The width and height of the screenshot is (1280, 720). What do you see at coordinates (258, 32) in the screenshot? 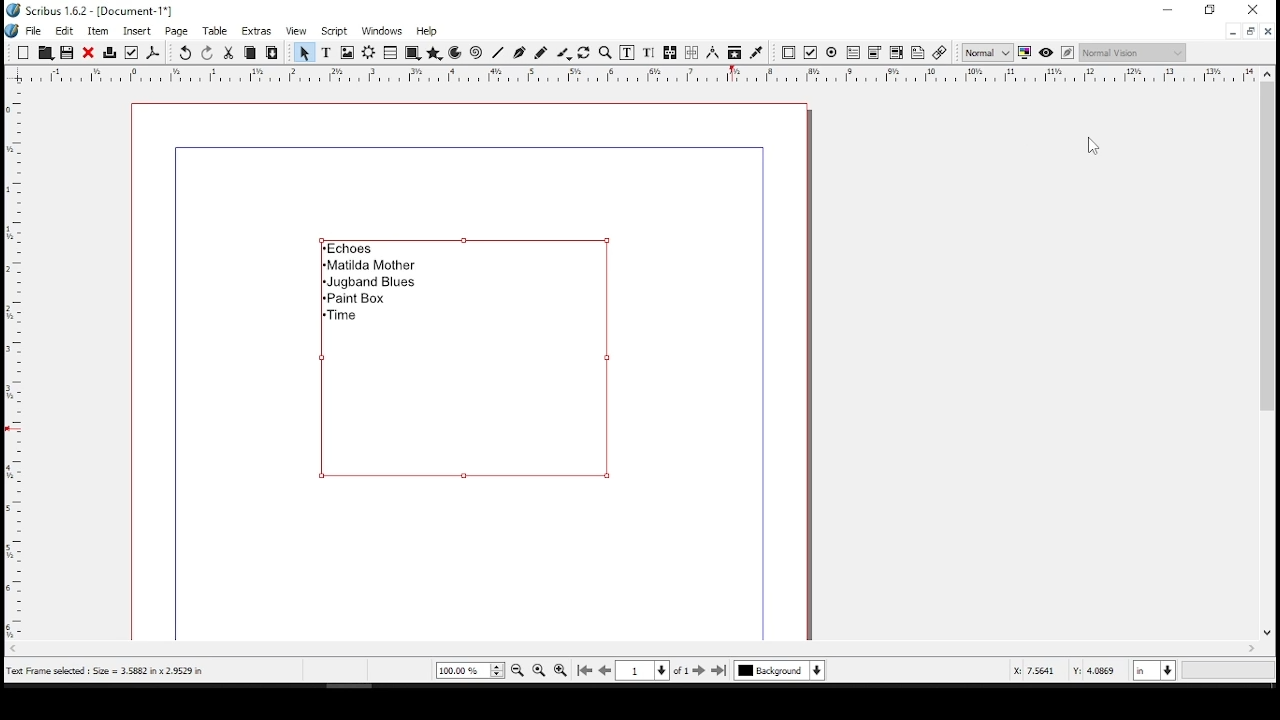
I see `extras` at bounding box center [258, 32].